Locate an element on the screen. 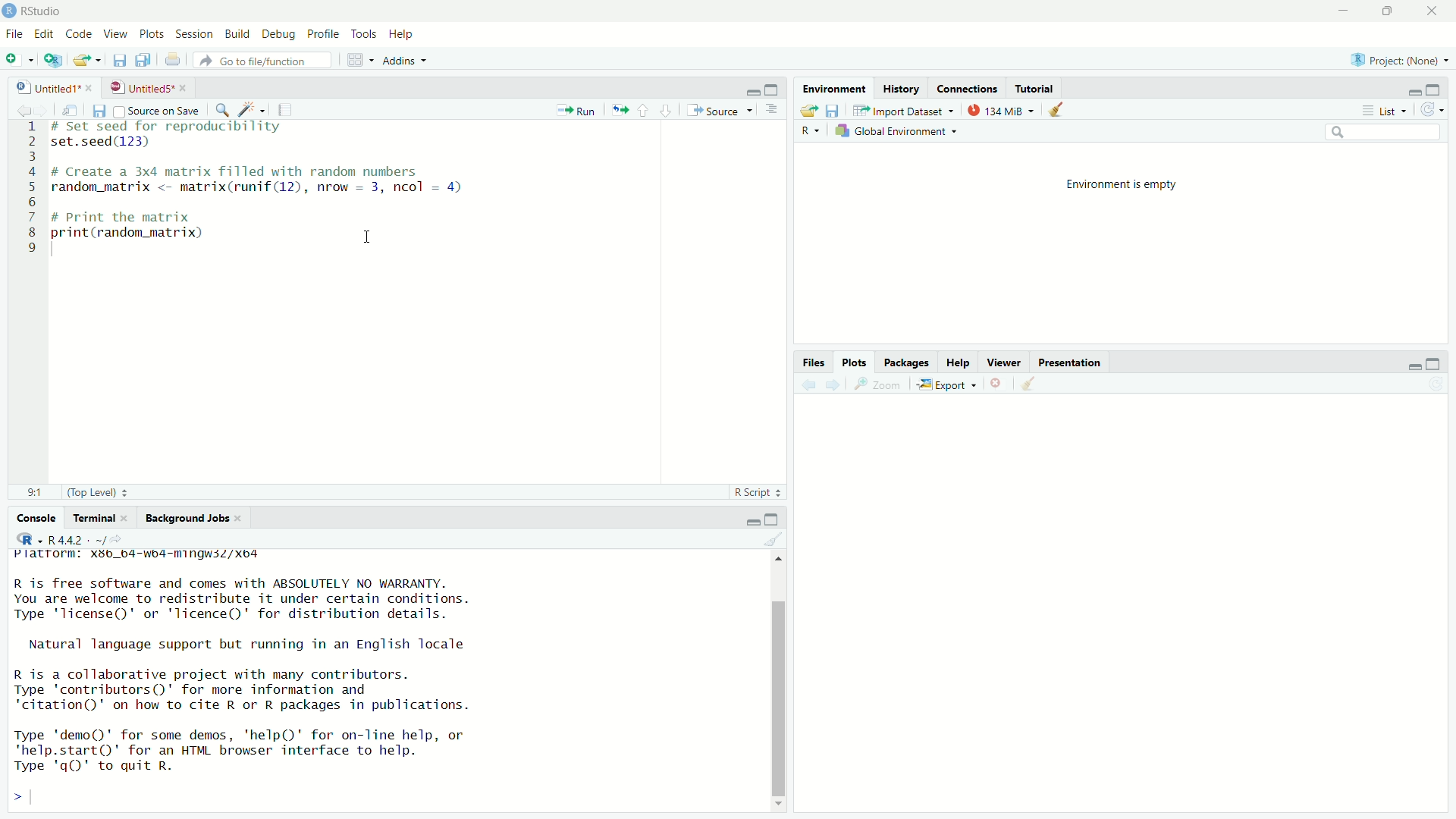 This screenshot has height=819, width=1456. add script is located at coordinates (49, 58).